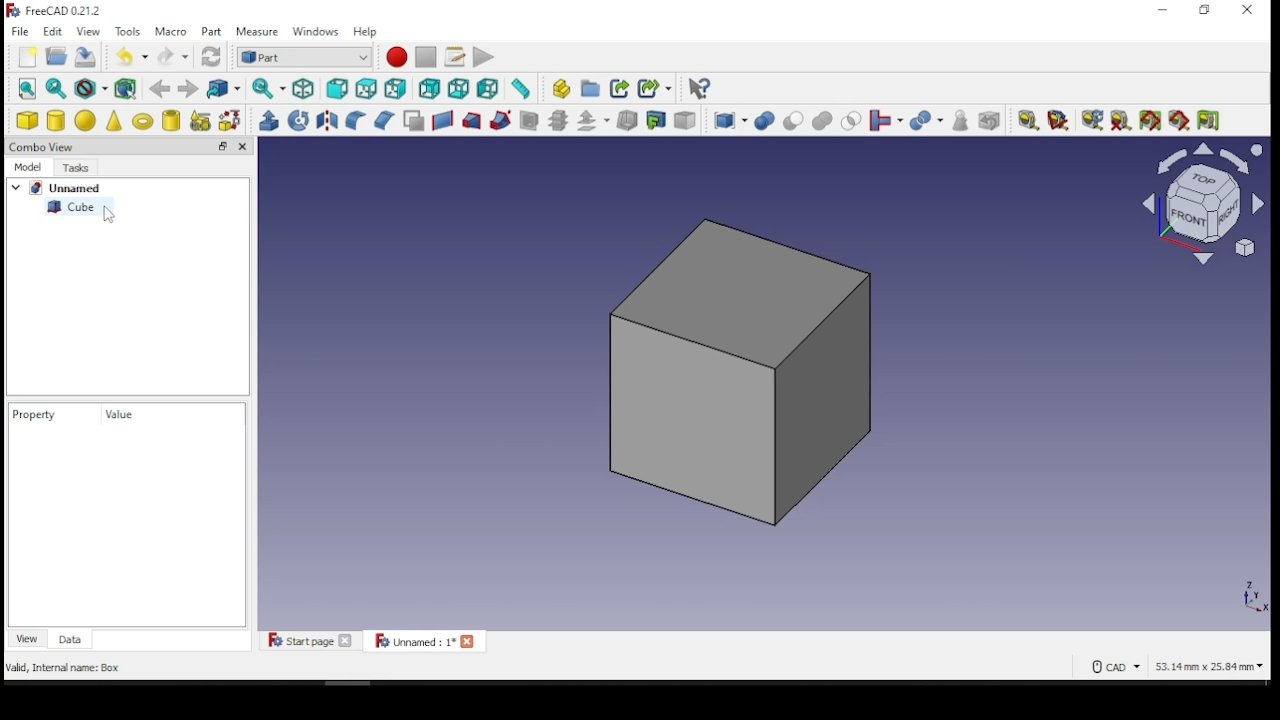  I want to click on help, so click(366, 31).